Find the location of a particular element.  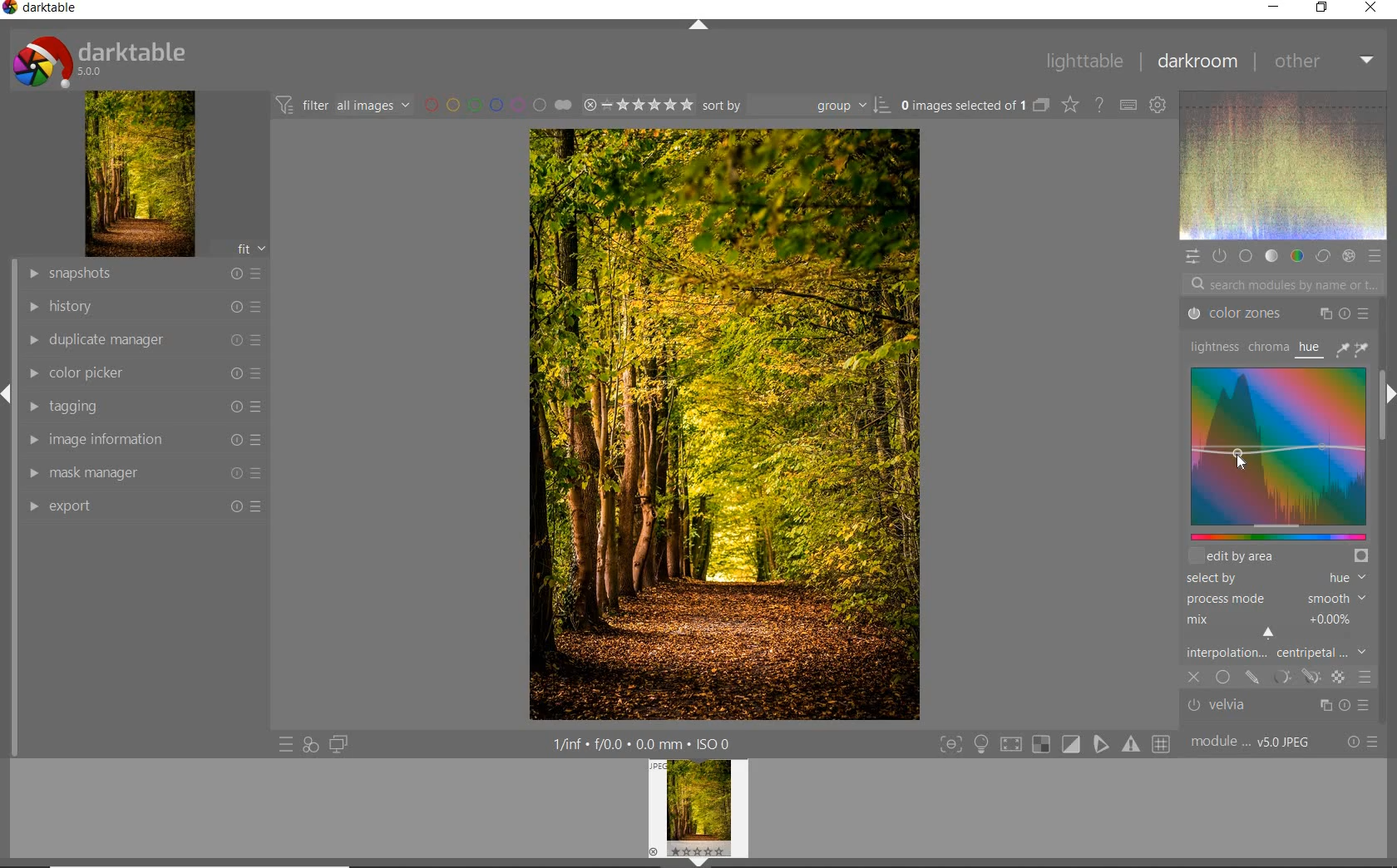

EFFORT is located at coordinates (146, 508).